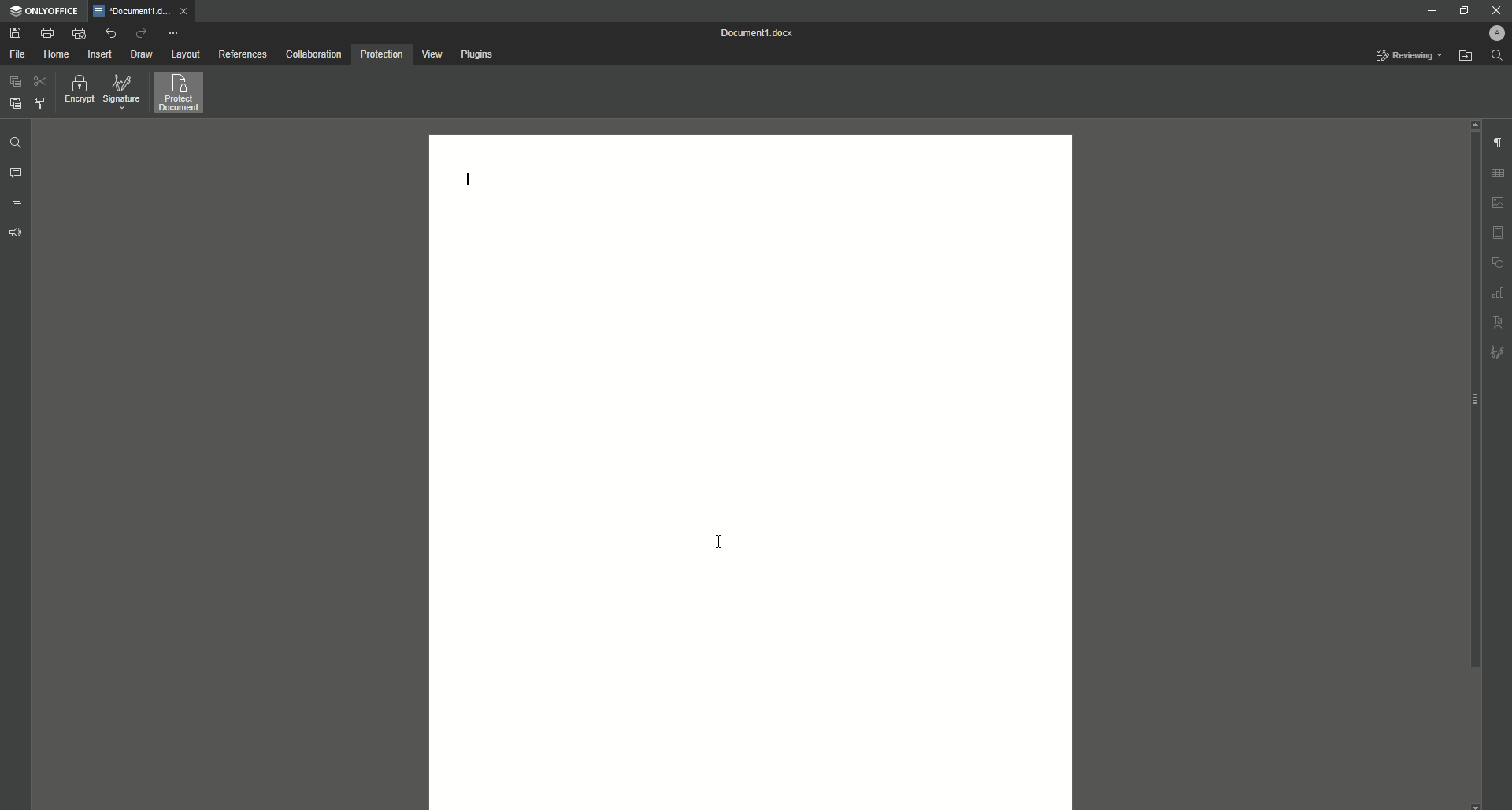  What do you see at coordinates (98, 54) in the screenshot?
I see `Insert` at bounding box center [98, 54].